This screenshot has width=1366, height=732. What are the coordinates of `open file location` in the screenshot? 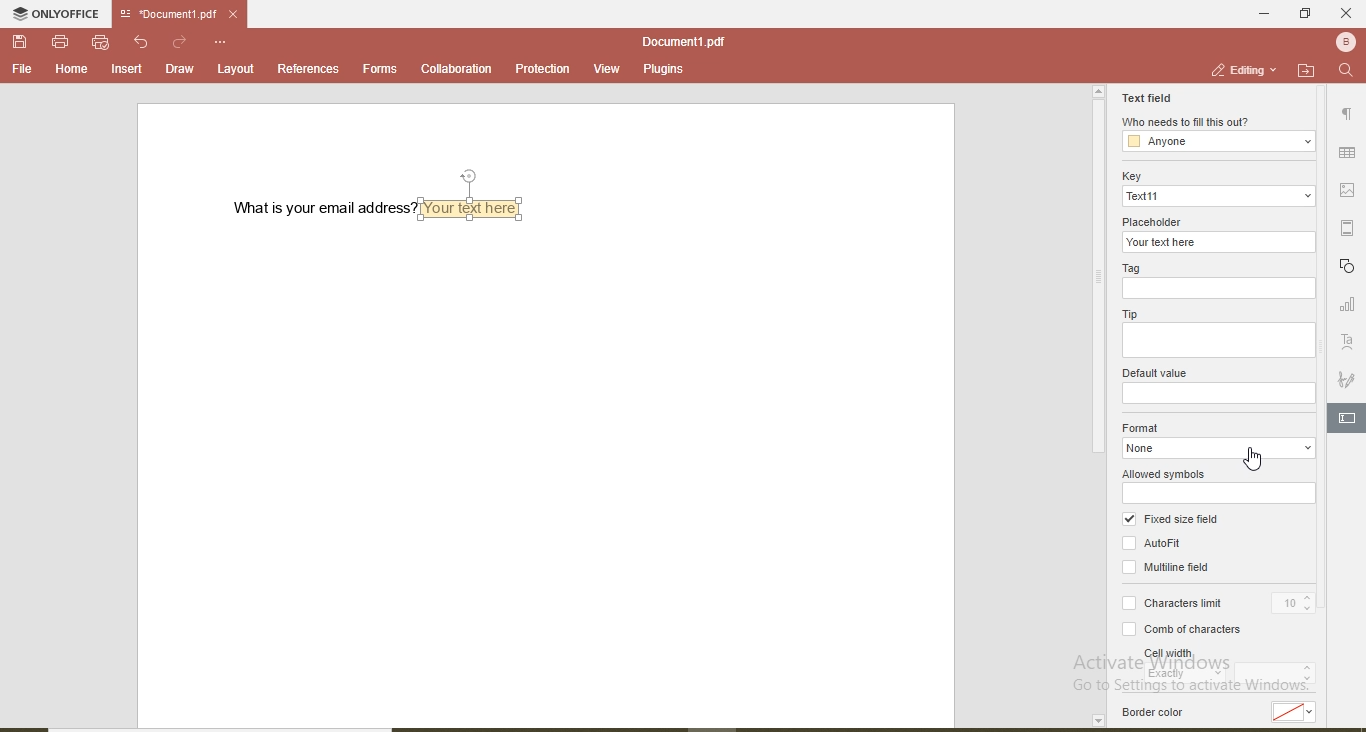 It's located at (1306, 70).